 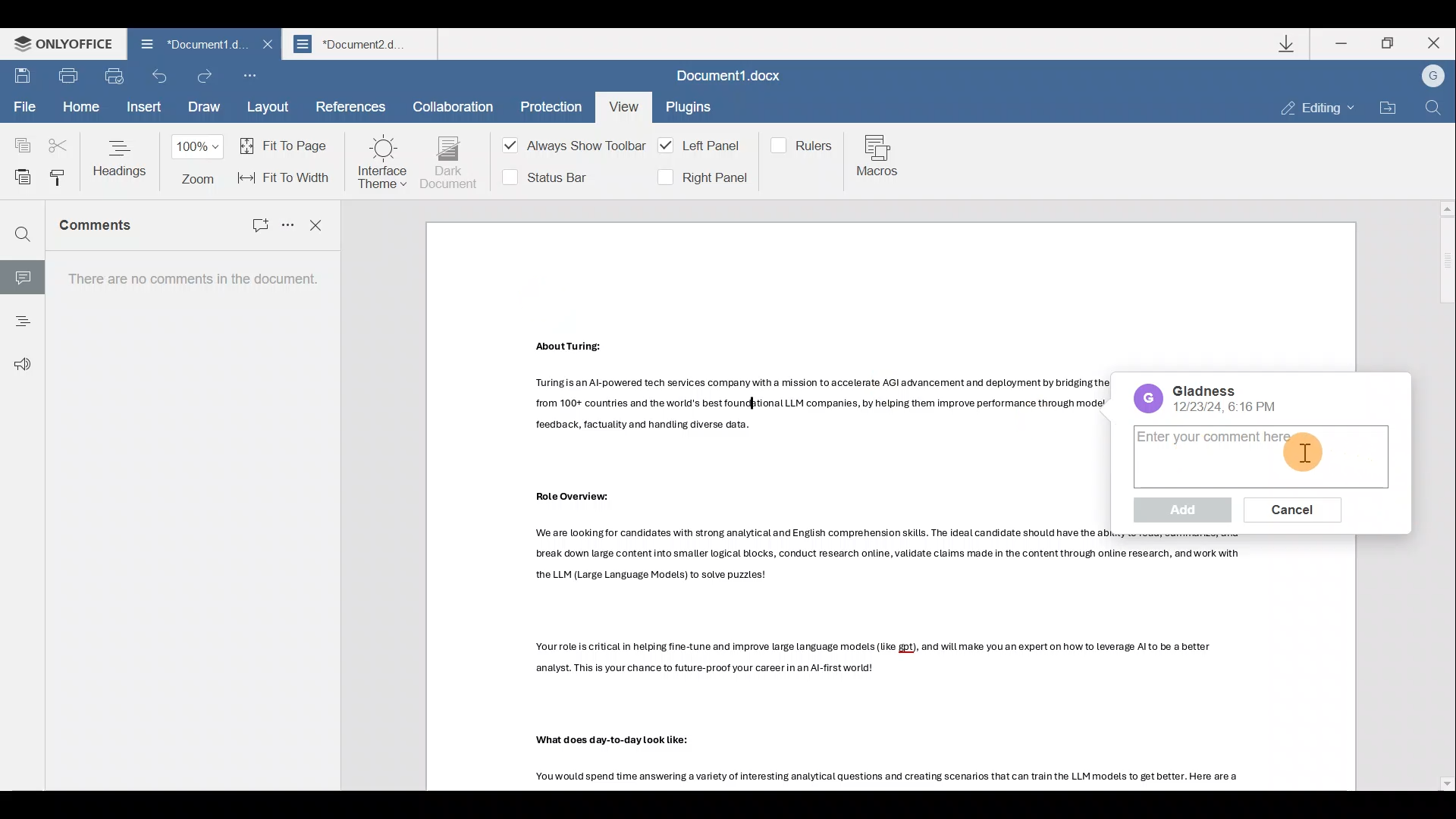 What do you see at coordinates (1343, 42) in the screenshot?
I see `Minimize` at bounding box center [1343, 42].